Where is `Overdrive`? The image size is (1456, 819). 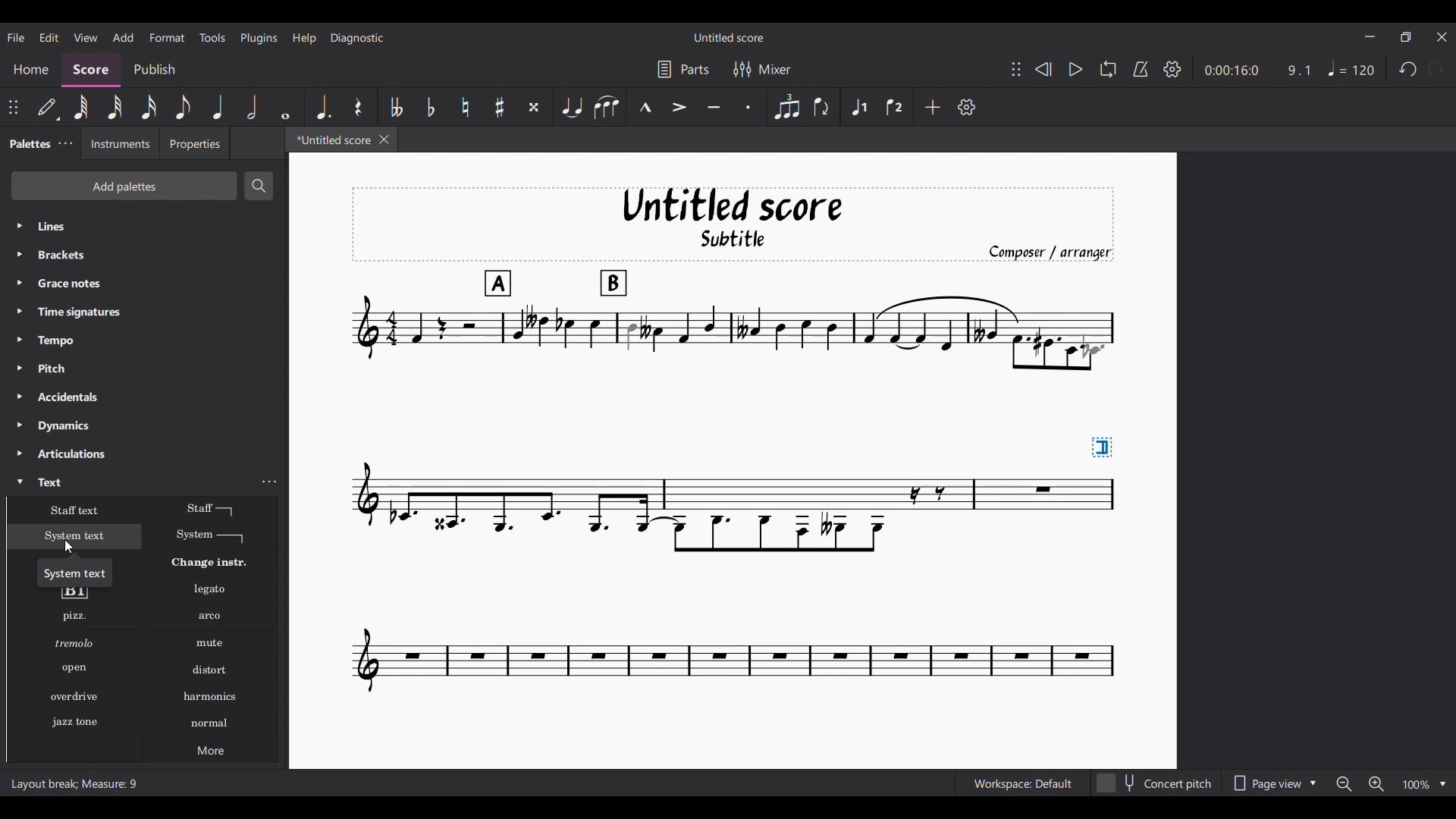 Overdrive is located at coordinates (74, 696).